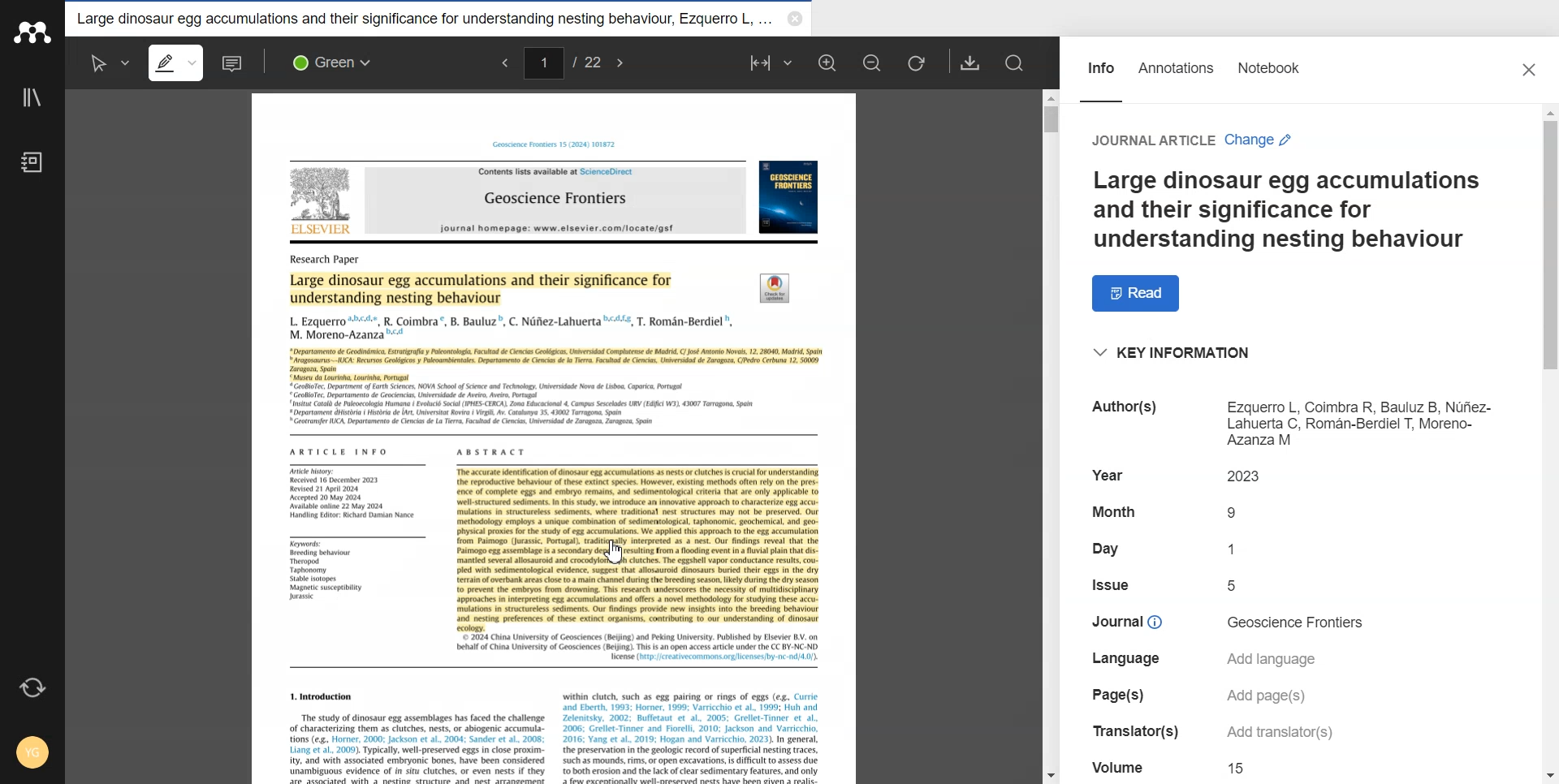 The width and height of the screenshot is (1559, 784). What do you see at coordinates (1250, 476) in the screenshot?
I see `text` at bounding box center [1250, 476].